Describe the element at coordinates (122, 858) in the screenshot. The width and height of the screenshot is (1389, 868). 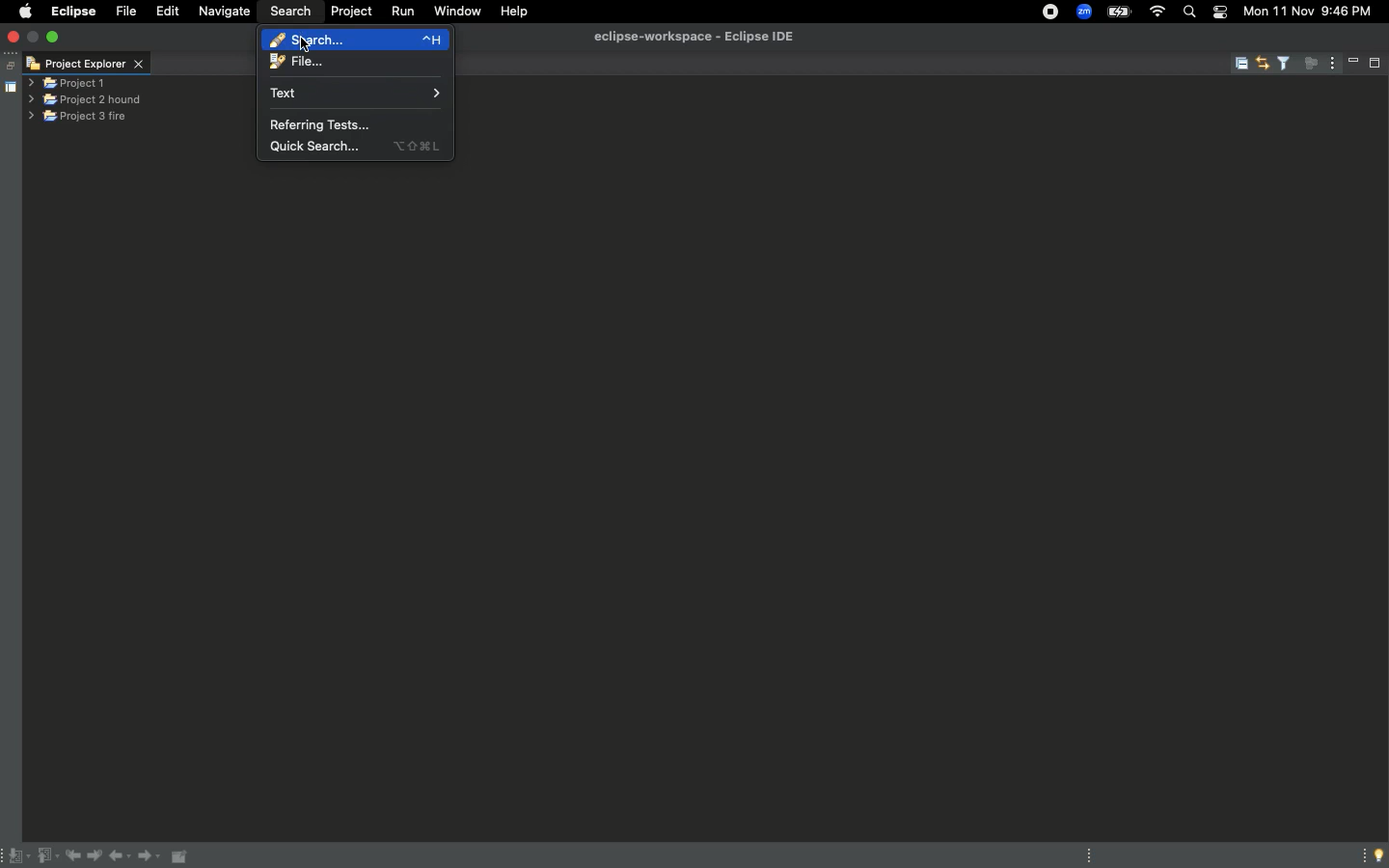
I see `Back` at that location.